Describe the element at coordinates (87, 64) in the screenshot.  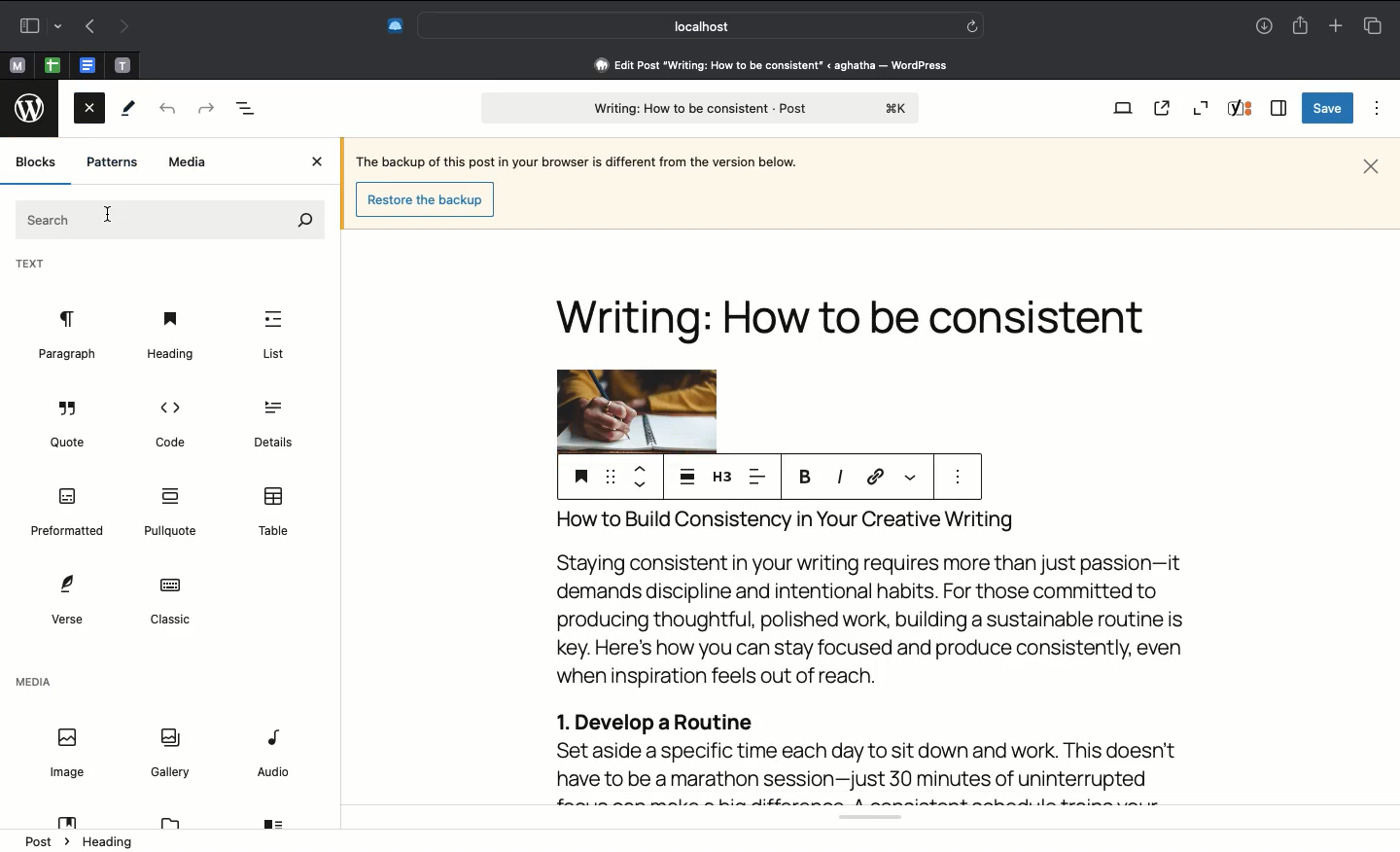
I see `Pinned tabs` at that location.